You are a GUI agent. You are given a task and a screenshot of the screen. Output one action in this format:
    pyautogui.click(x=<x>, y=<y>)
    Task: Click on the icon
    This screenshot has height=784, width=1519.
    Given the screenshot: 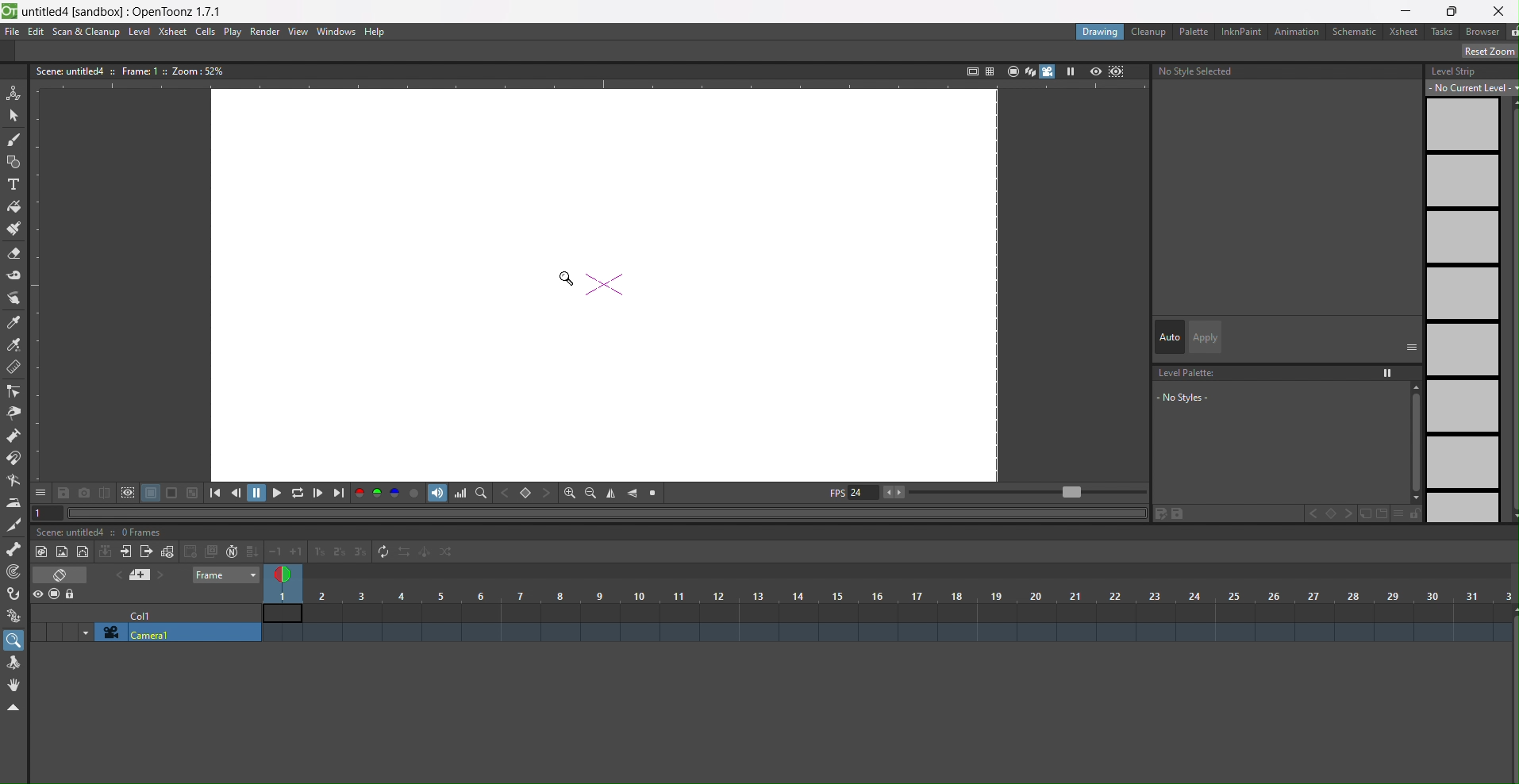 What is the action you would take?
    pyautogui.click(x=129, y=494)
    